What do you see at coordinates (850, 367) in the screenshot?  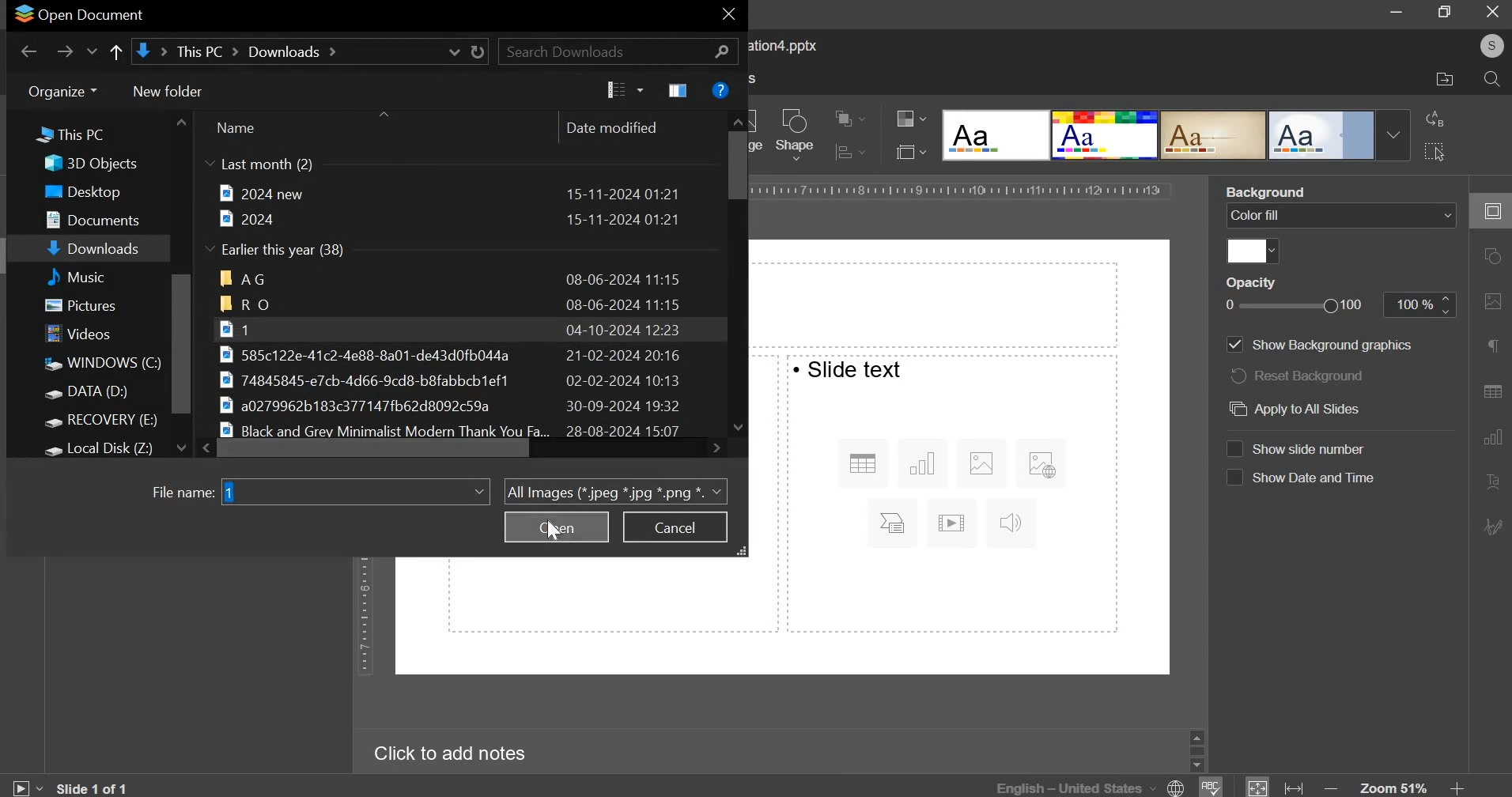 I see `text` at bounding box center [850, 367].